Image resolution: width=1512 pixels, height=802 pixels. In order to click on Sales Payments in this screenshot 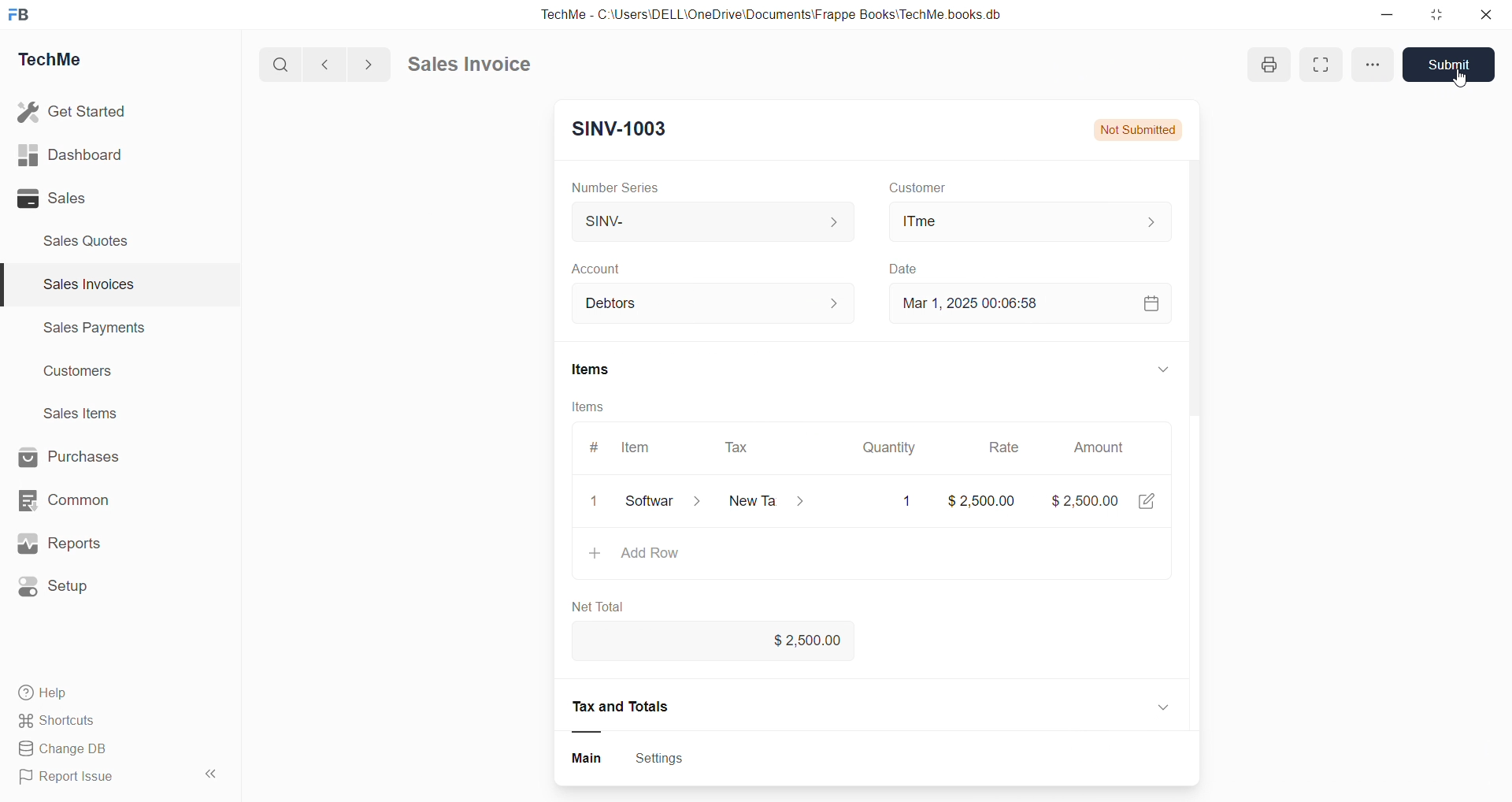, I will do `click(87, 330)`.